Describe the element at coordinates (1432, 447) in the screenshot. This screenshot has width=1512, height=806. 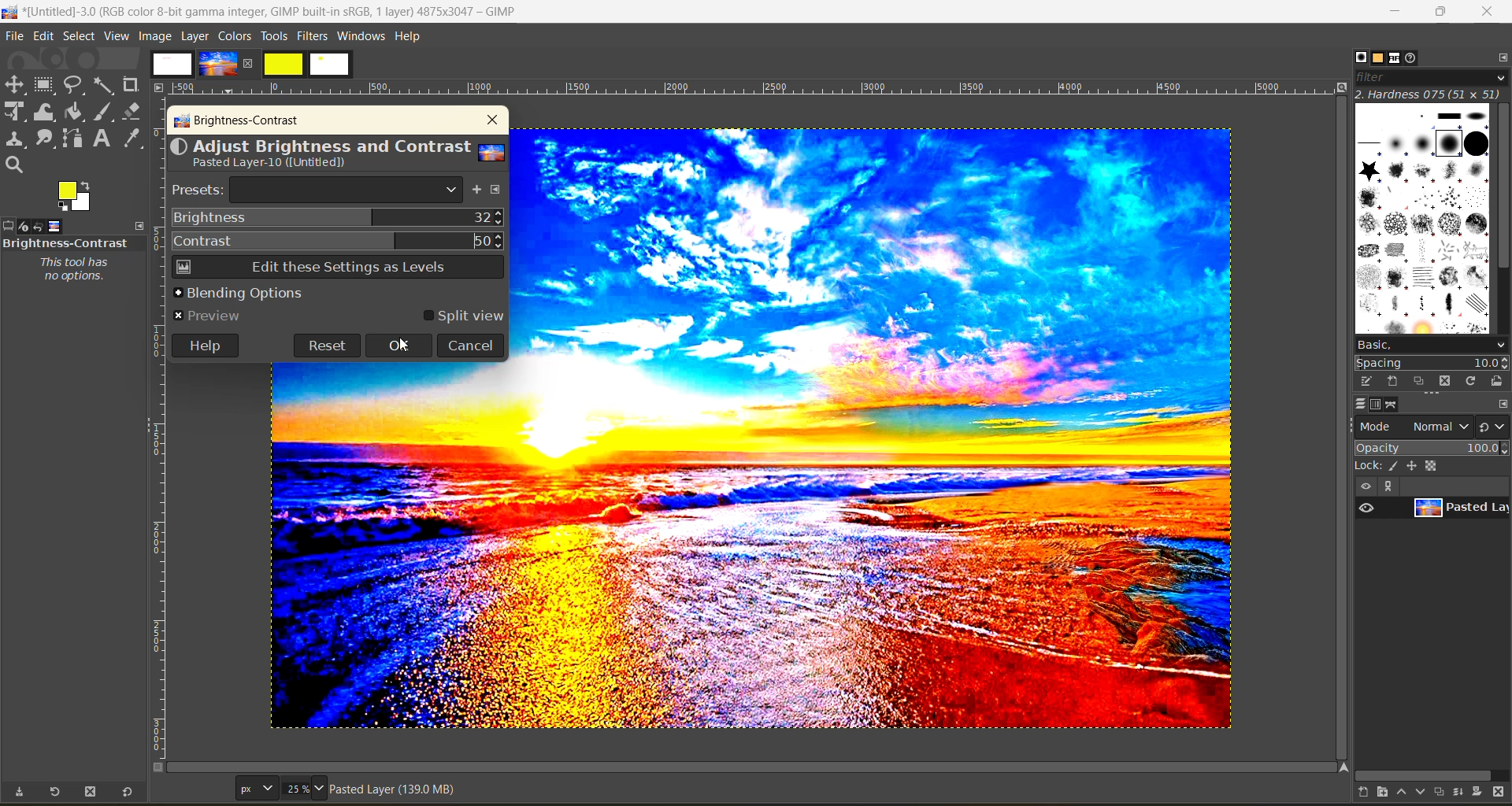
I see `opacity` at that location.